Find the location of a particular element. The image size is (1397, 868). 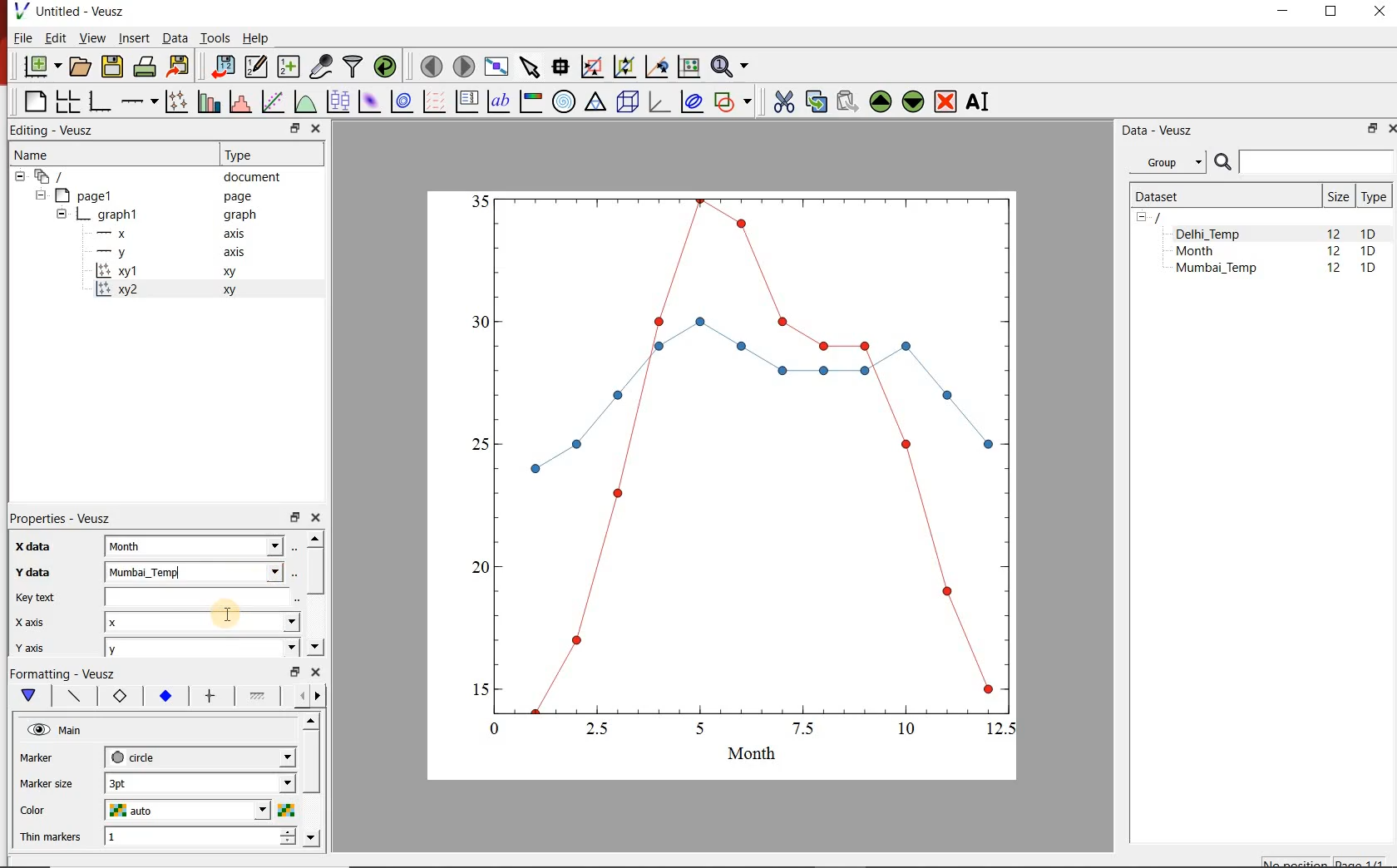

read data points on the graph is located at coordinates (560, 67).